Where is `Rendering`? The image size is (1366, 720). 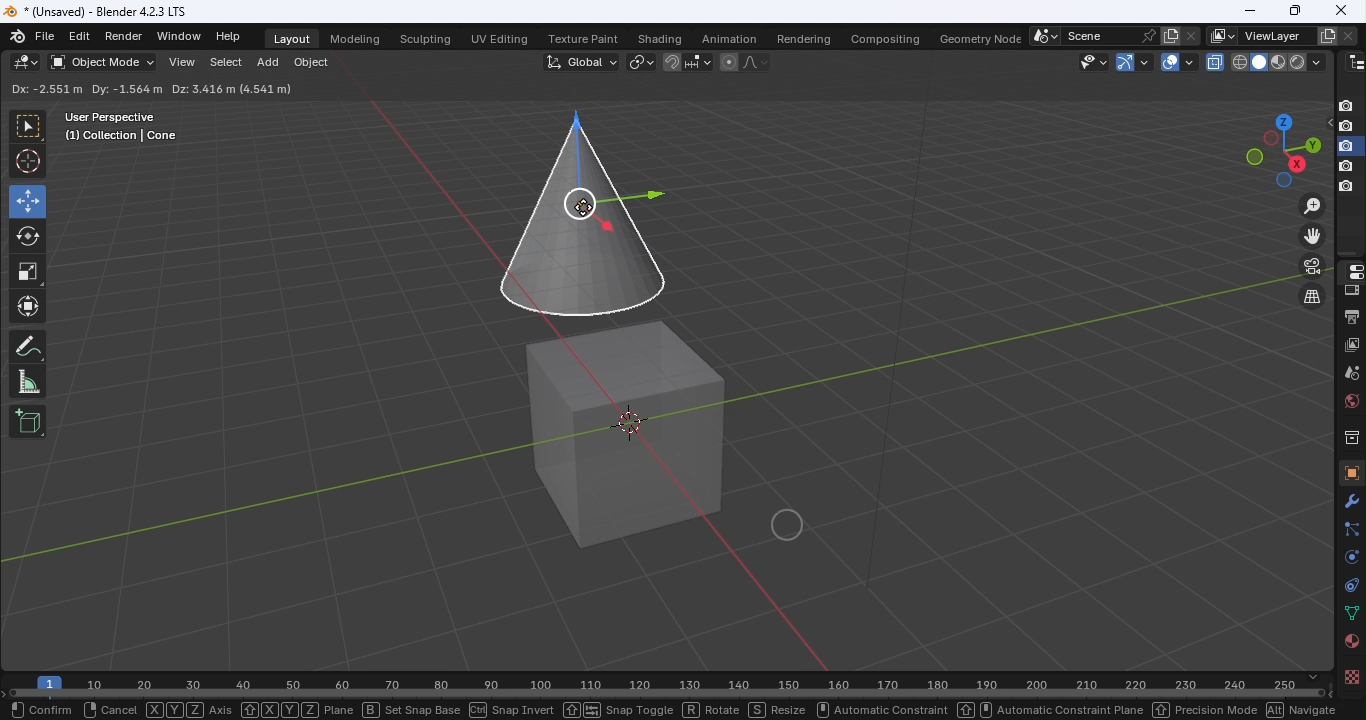 Rendering is located at coordinates (799, 36).